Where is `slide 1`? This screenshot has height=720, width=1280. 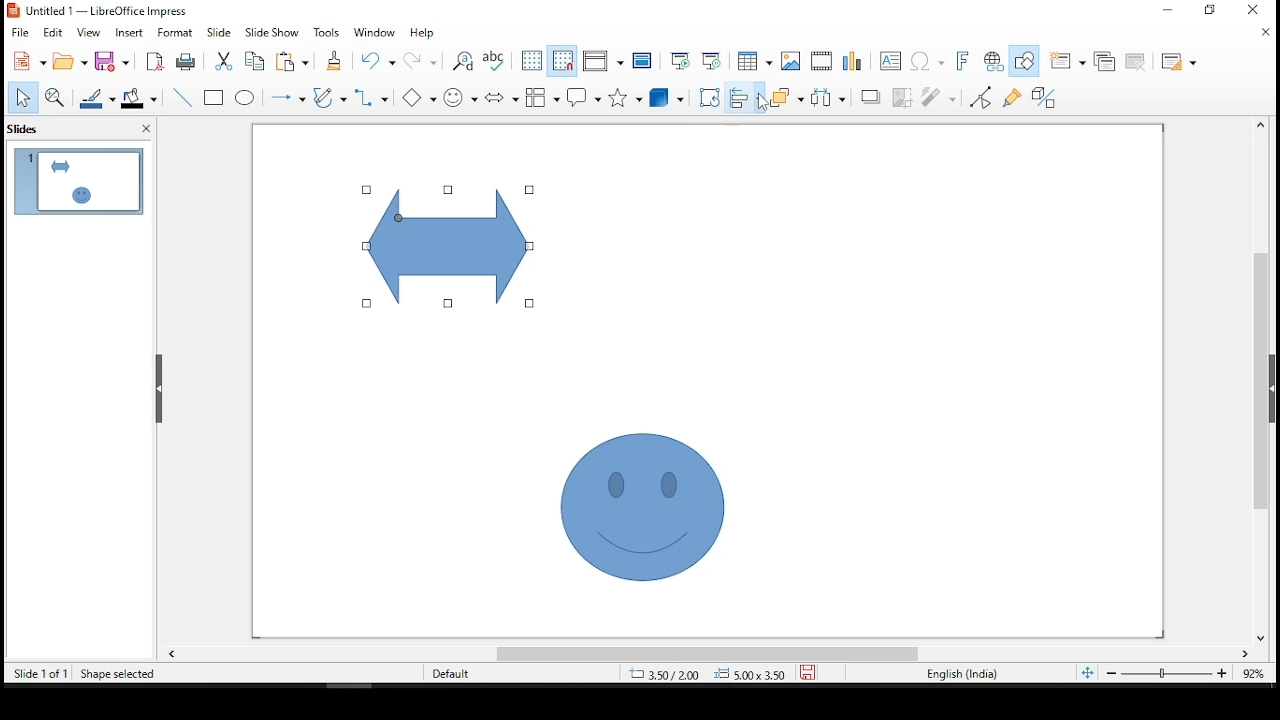
slide 1 is located at coordinates (79, 181).